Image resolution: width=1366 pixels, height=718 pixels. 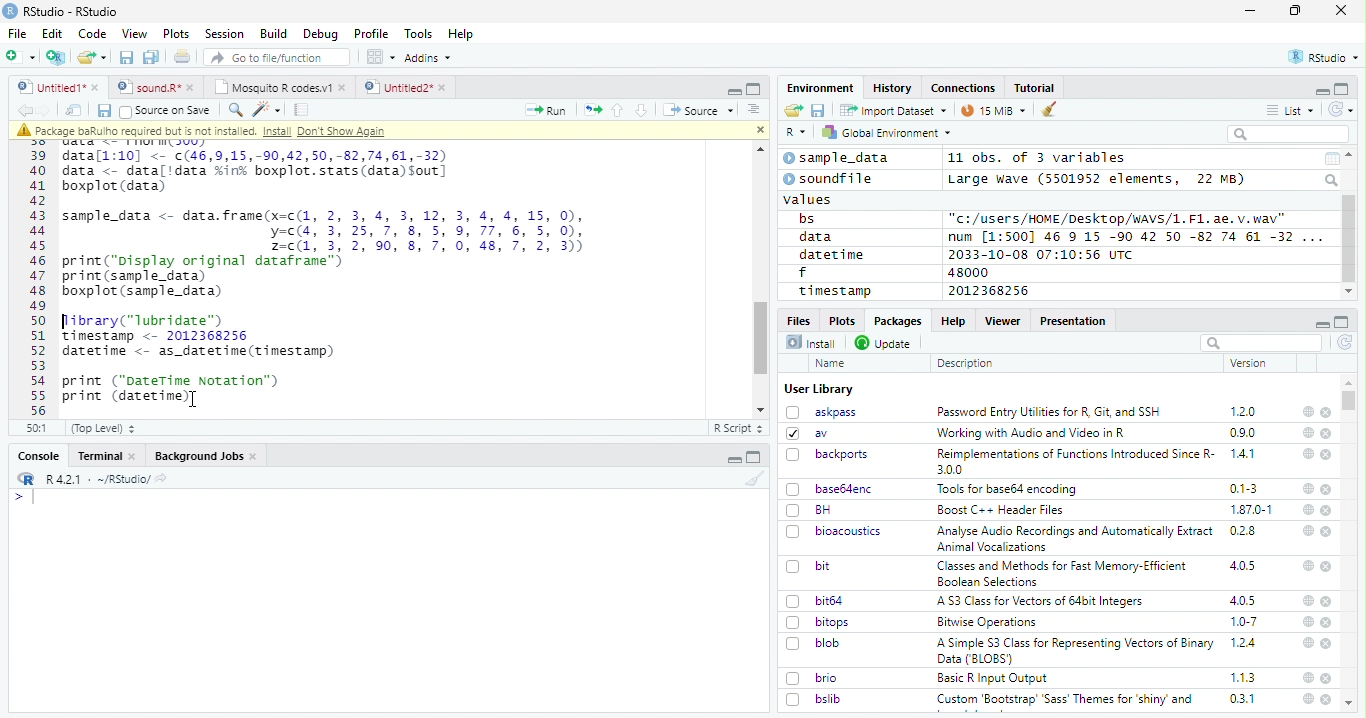 I want to click on cursor, so click(x=195, y=398).